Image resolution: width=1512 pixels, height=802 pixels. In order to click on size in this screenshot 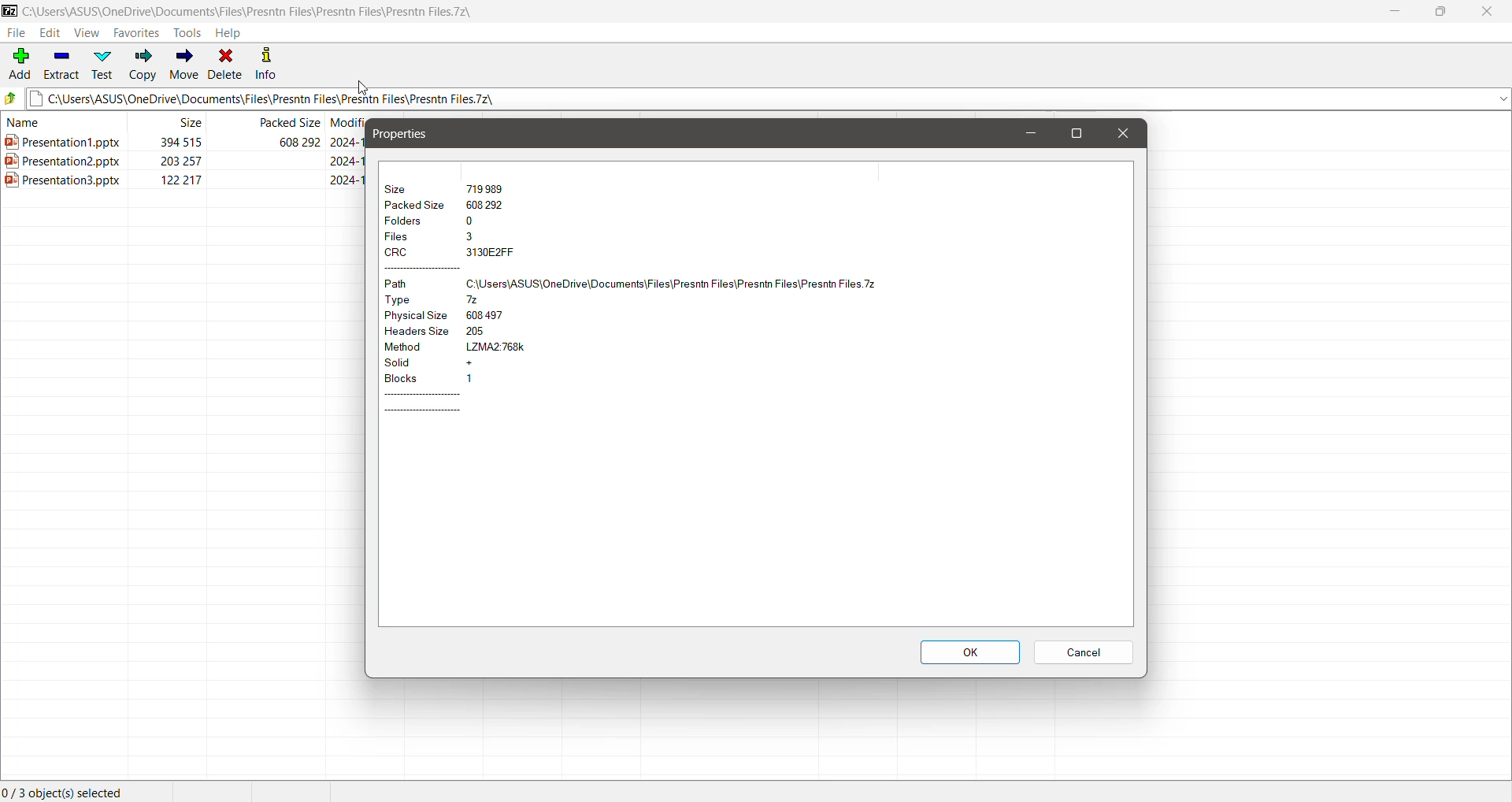, I will do `click(197, 123)`.